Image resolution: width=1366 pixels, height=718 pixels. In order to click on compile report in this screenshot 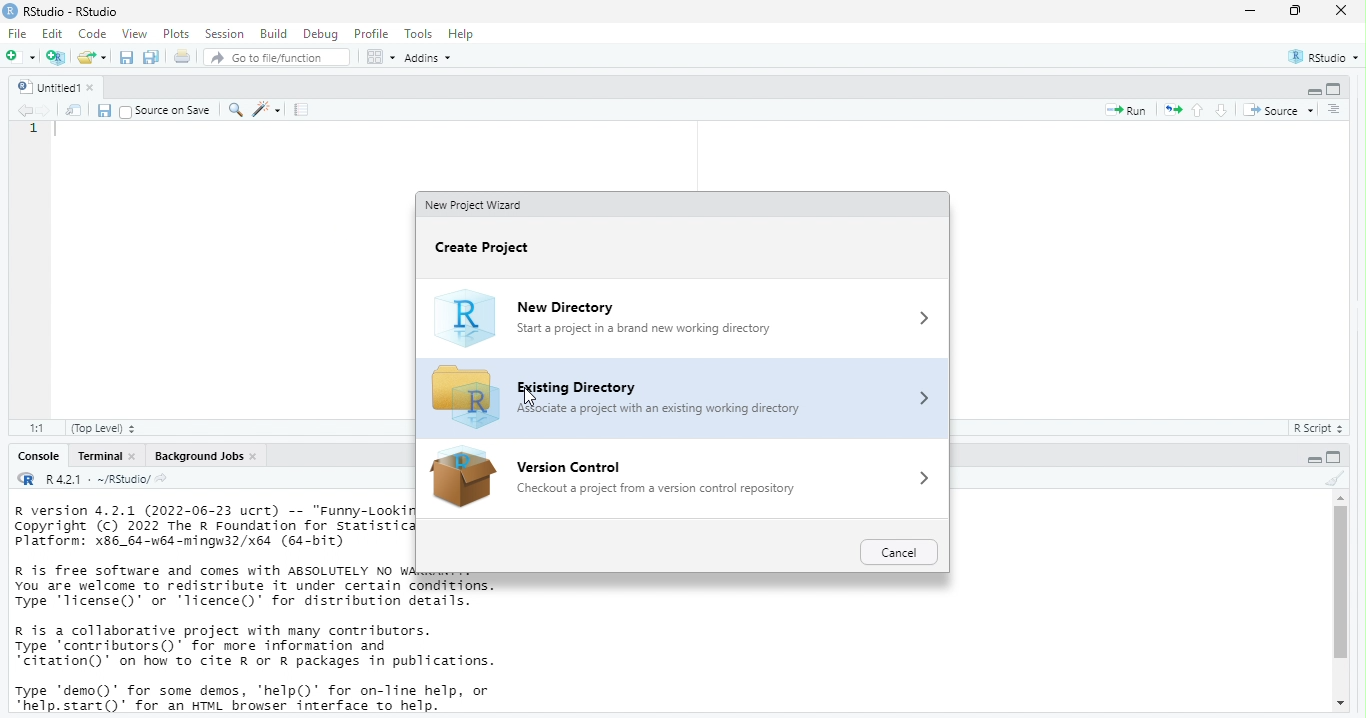, I will do `click(303, 110)`.